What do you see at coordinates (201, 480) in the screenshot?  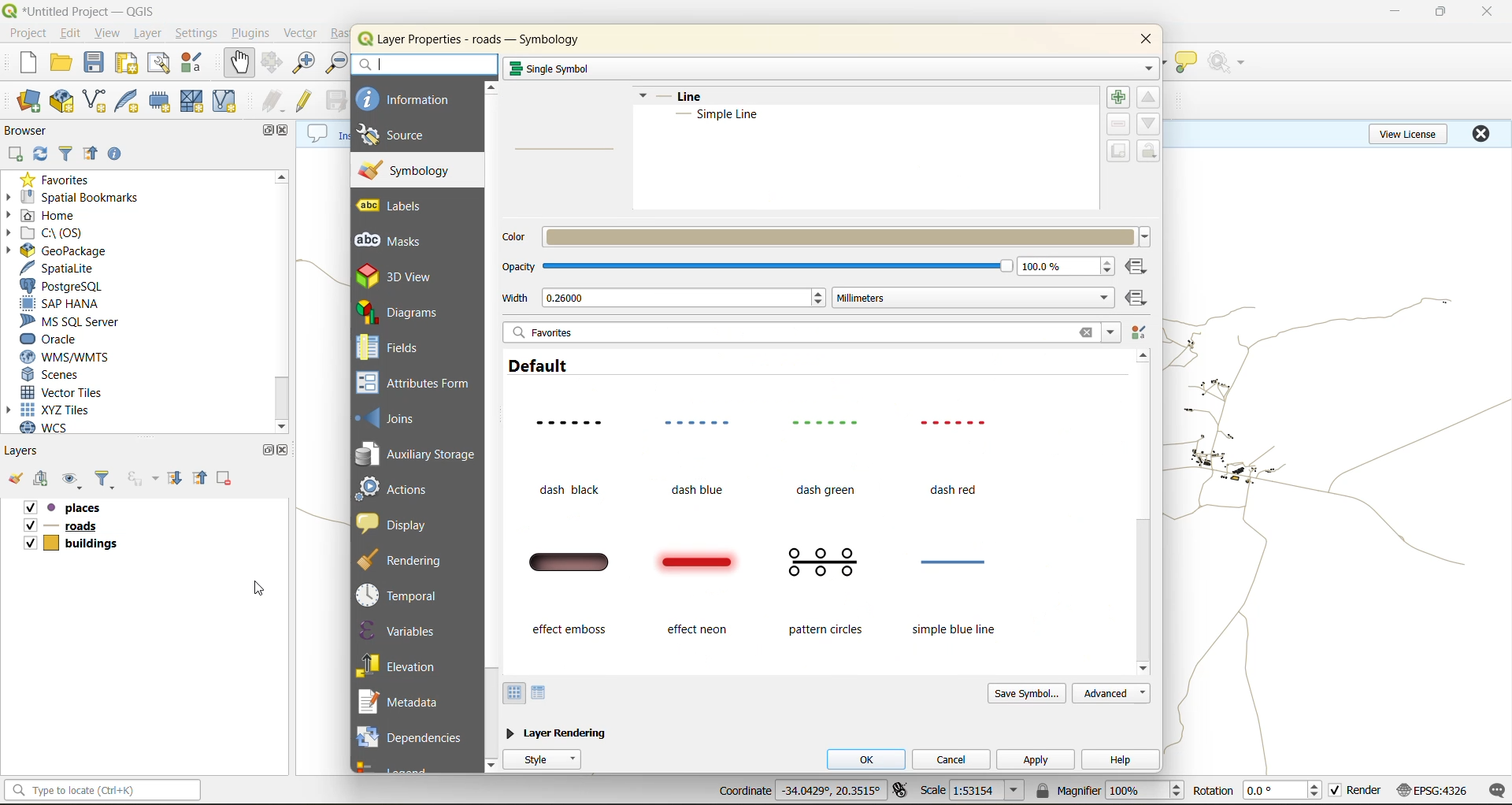 I see `collapse all` at bounding box center [201, 480].